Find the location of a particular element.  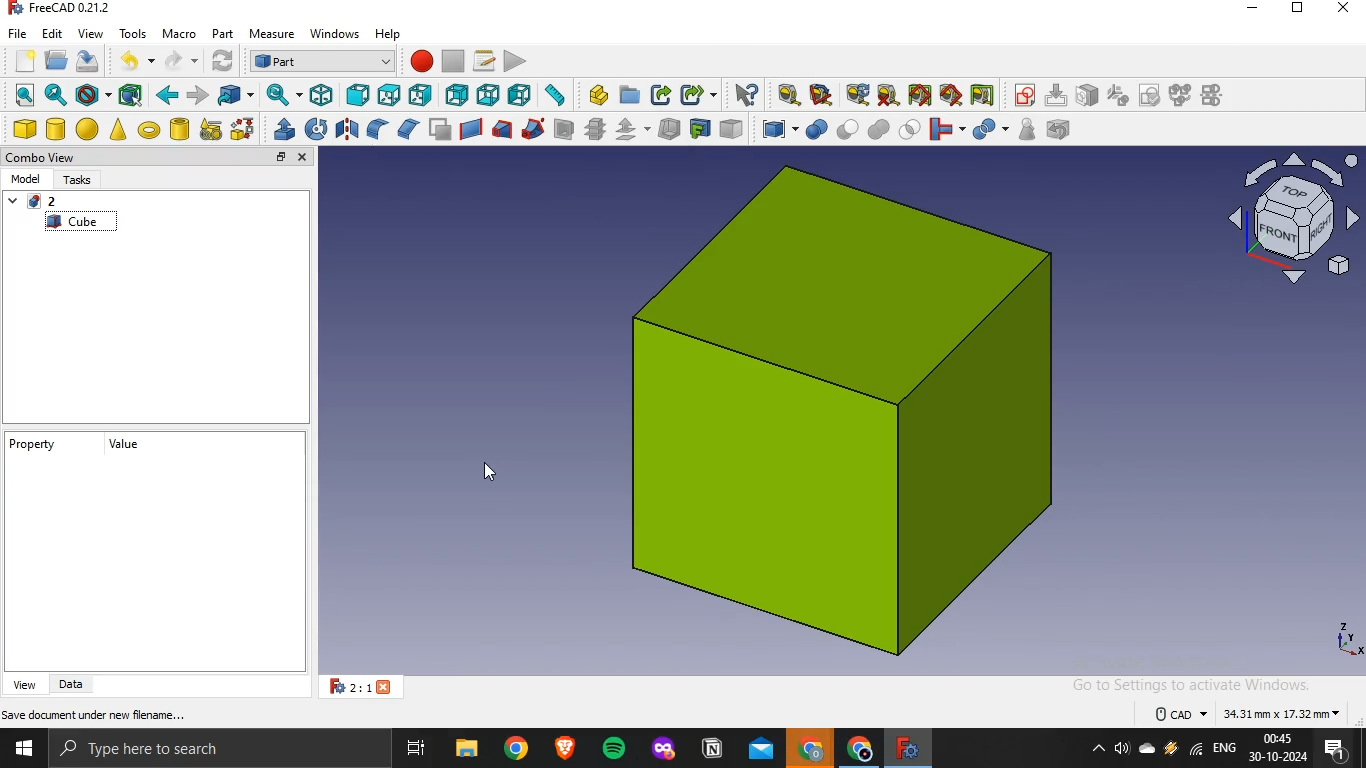

torus is located at coordinates (147, 129).